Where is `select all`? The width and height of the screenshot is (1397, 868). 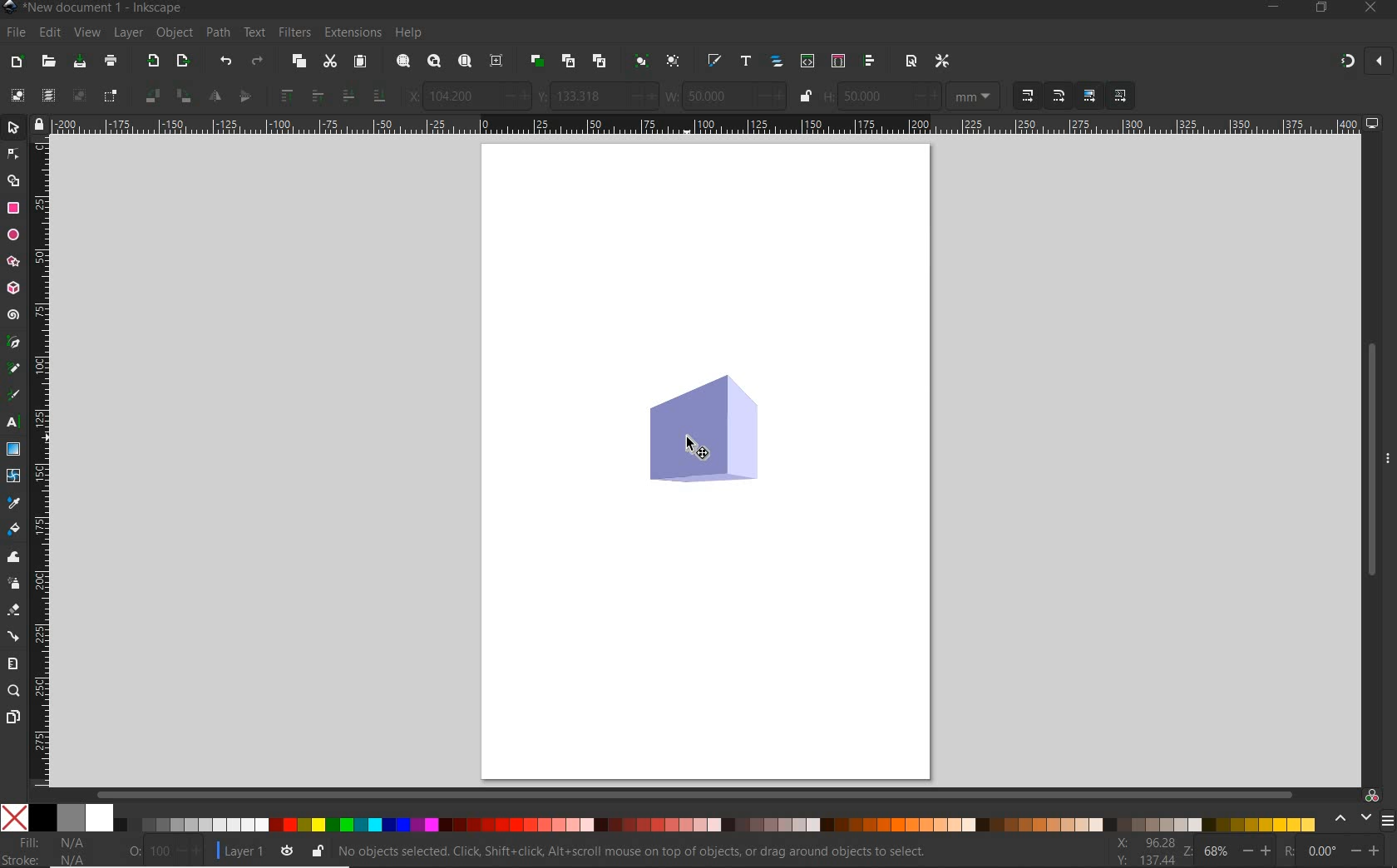 select all is located at coordinates (18, 93).